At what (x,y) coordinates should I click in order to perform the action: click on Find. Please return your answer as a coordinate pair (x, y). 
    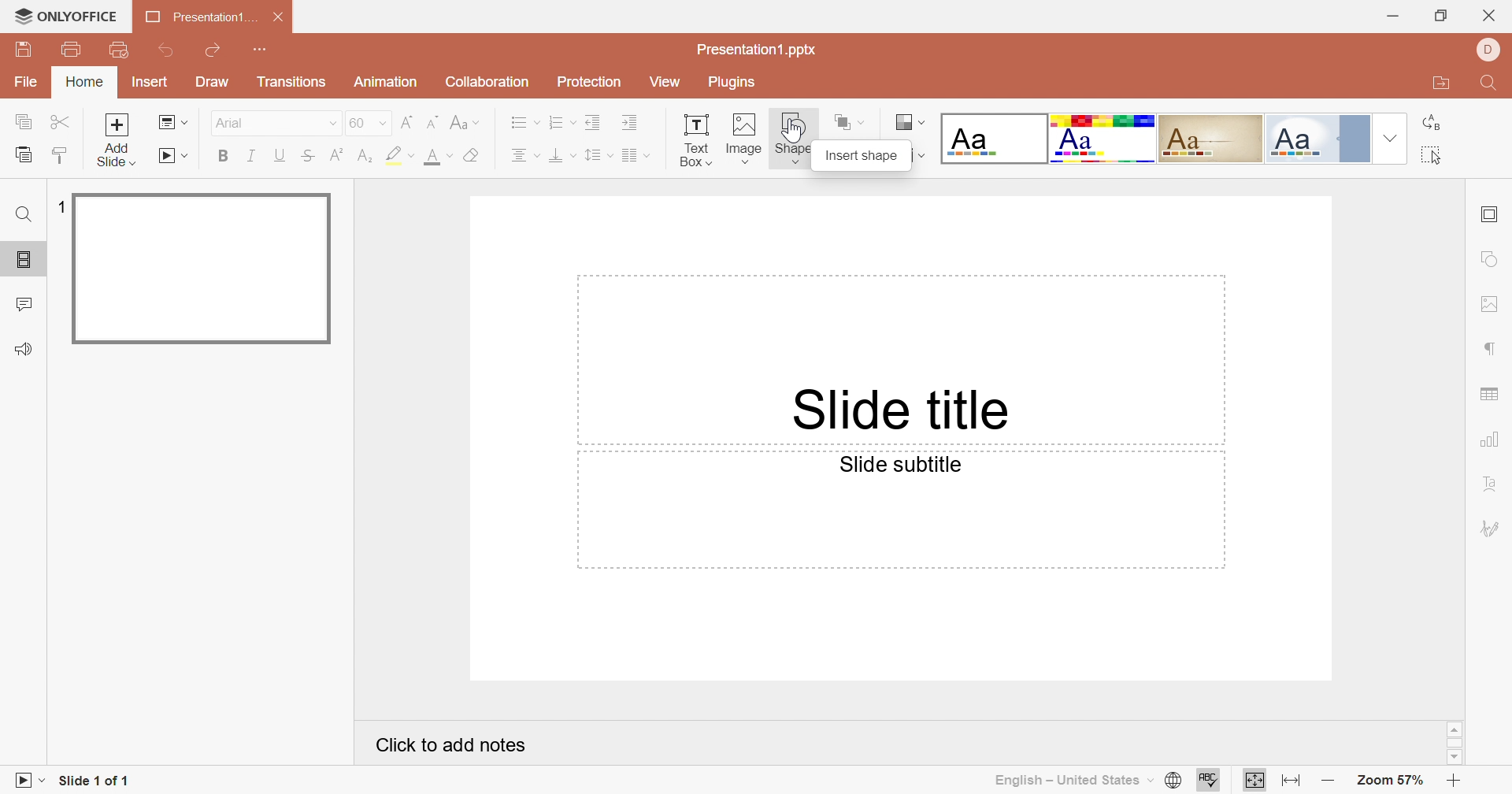
    Looking at the image, I should click on (1489, 84).